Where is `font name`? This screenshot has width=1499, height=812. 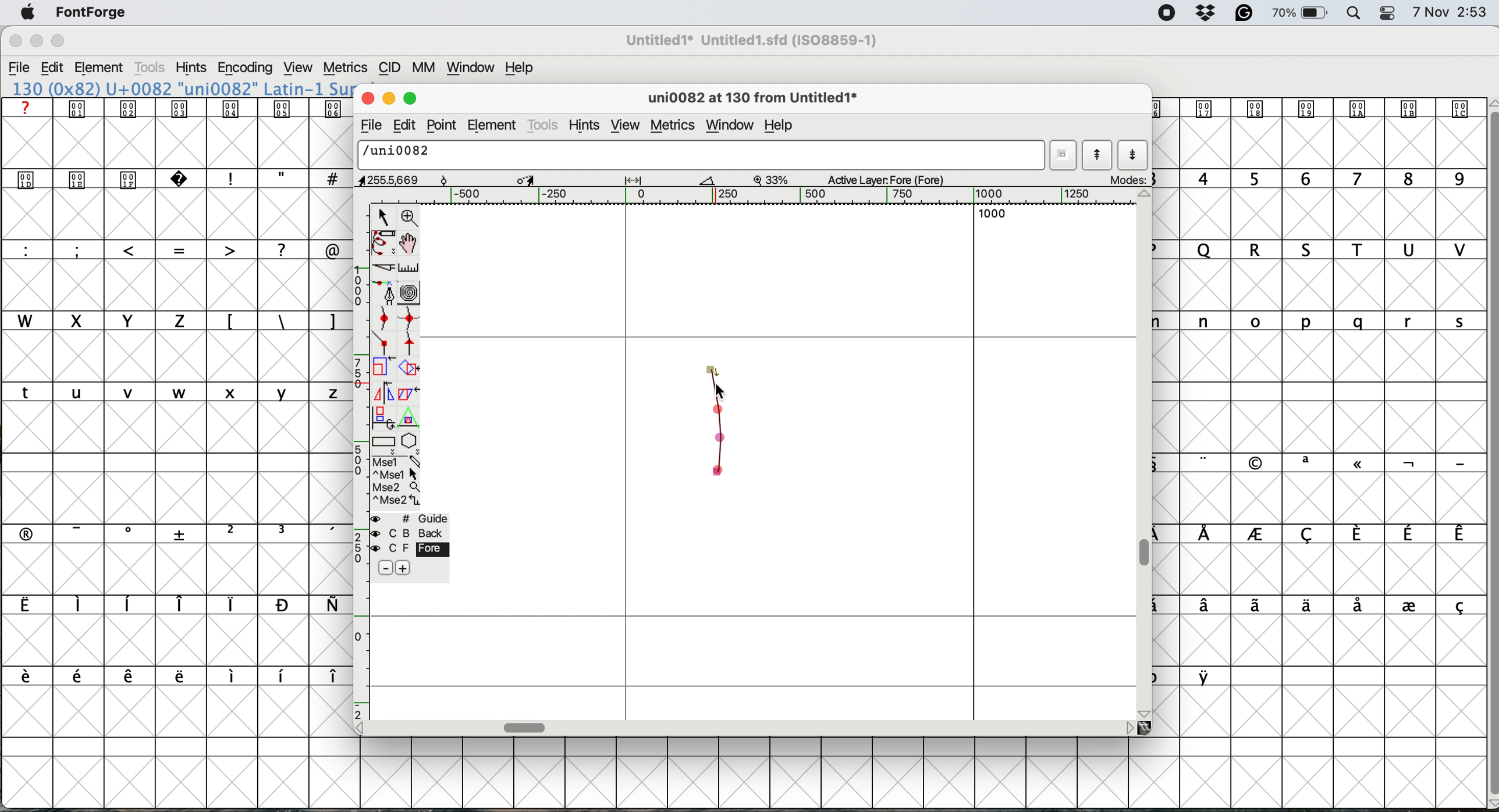 font name is located at coordinates (756, 40).